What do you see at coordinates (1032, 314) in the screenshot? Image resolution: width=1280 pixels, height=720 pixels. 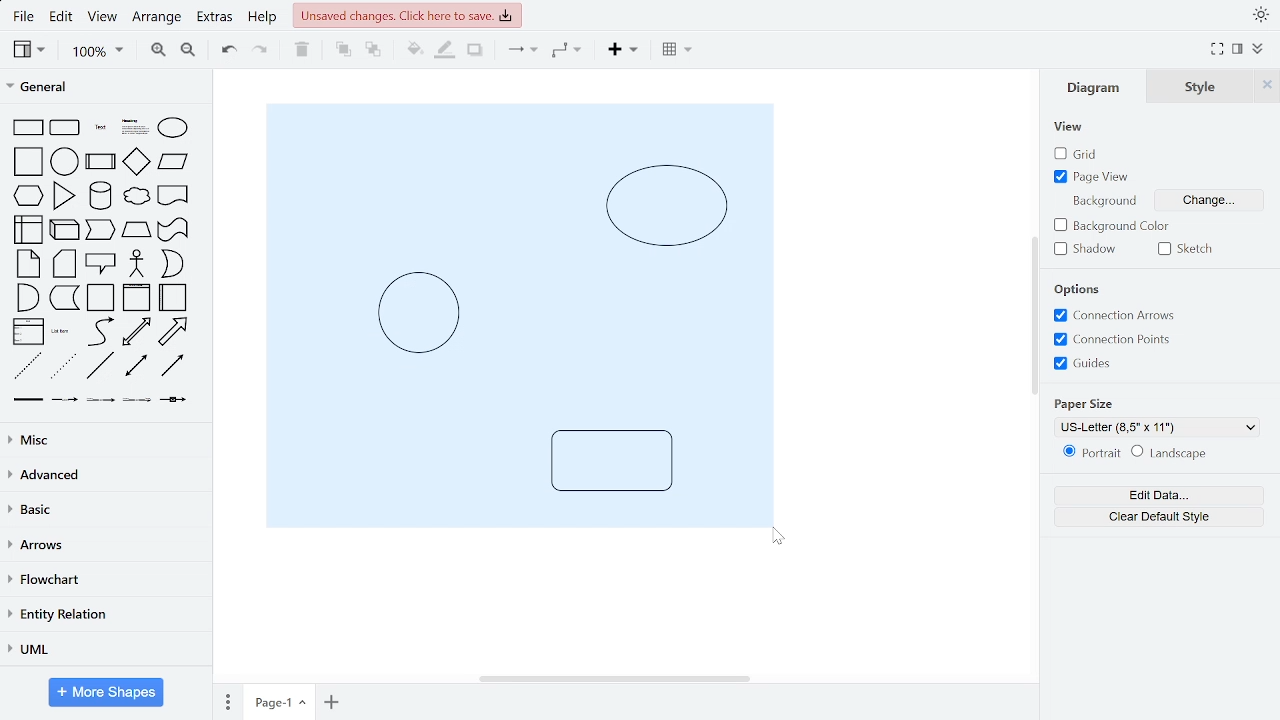 I see `vertical scrollbar` at bounding box center [1032, 314].